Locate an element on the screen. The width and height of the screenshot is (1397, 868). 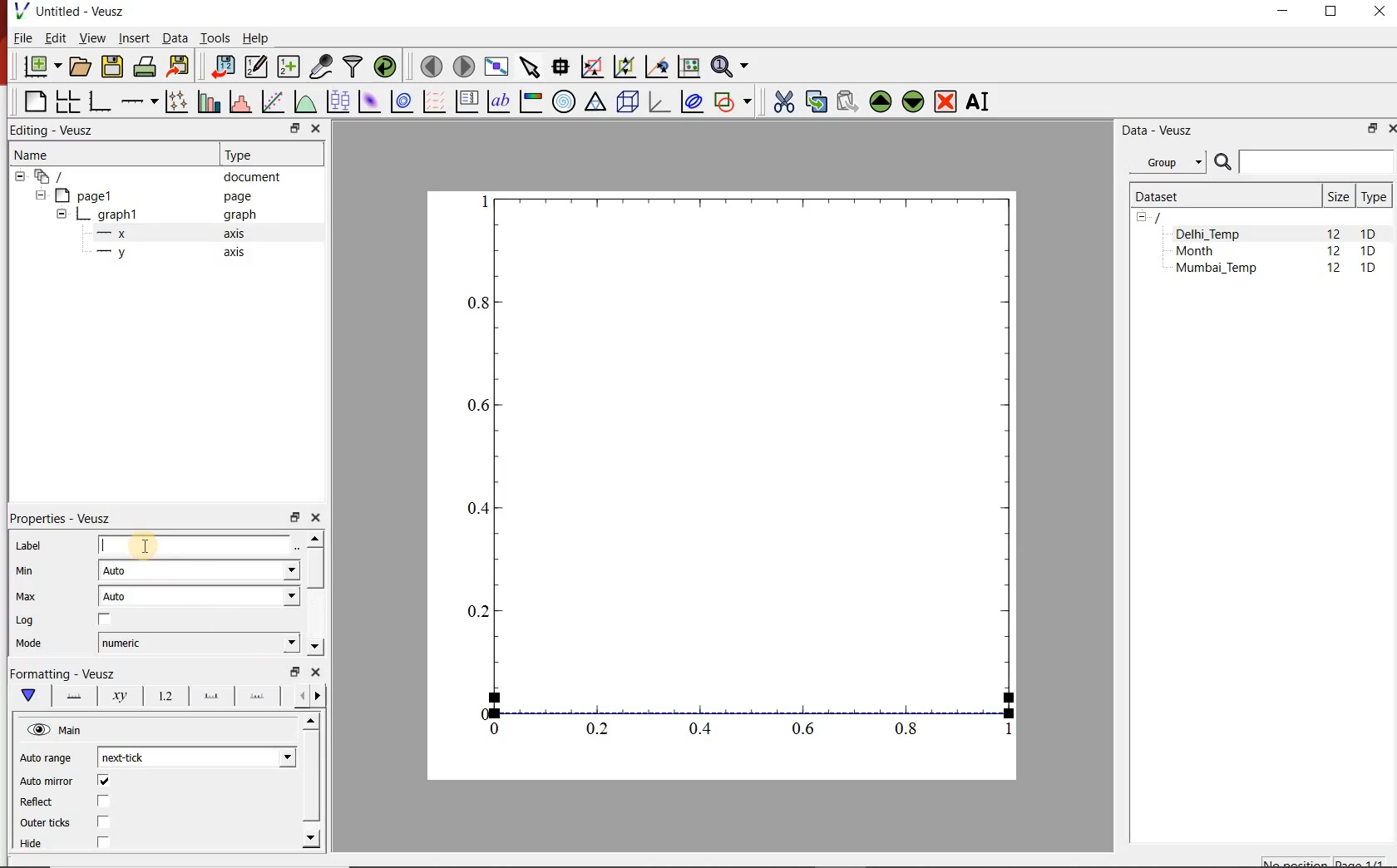
Auto is located at coordinates (199, 596).